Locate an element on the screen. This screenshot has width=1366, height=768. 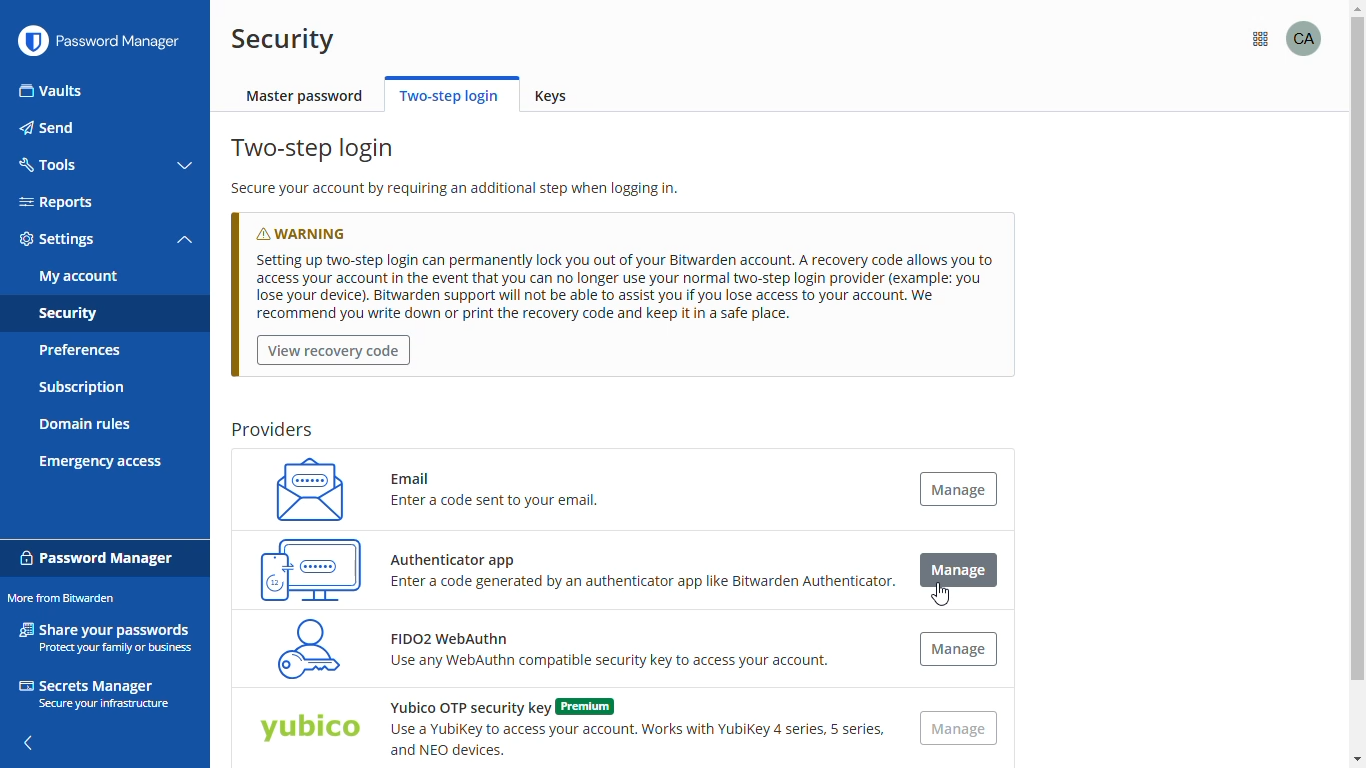
Enter a code generated by an authenticator app like Bitwarden Authenticator. is located at coordinates (645, 582).